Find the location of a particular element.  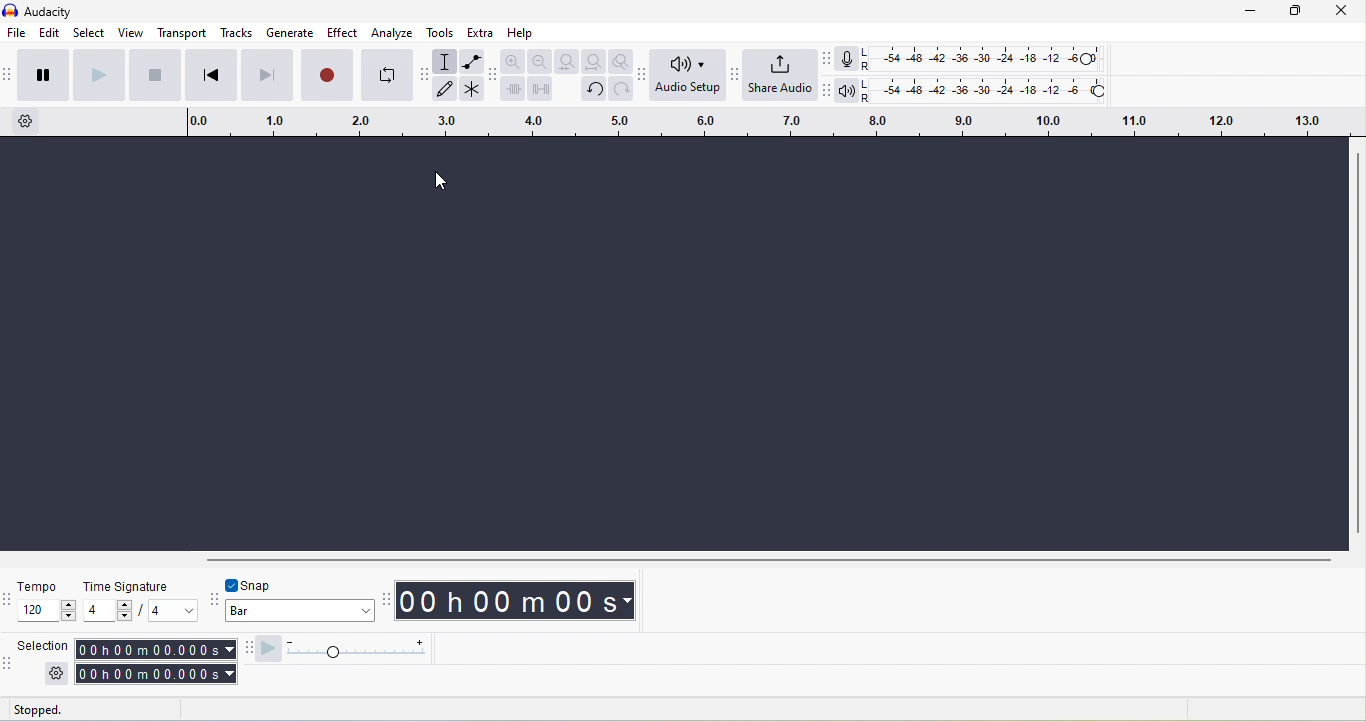

minimize is located at coordinates (1252, 13).